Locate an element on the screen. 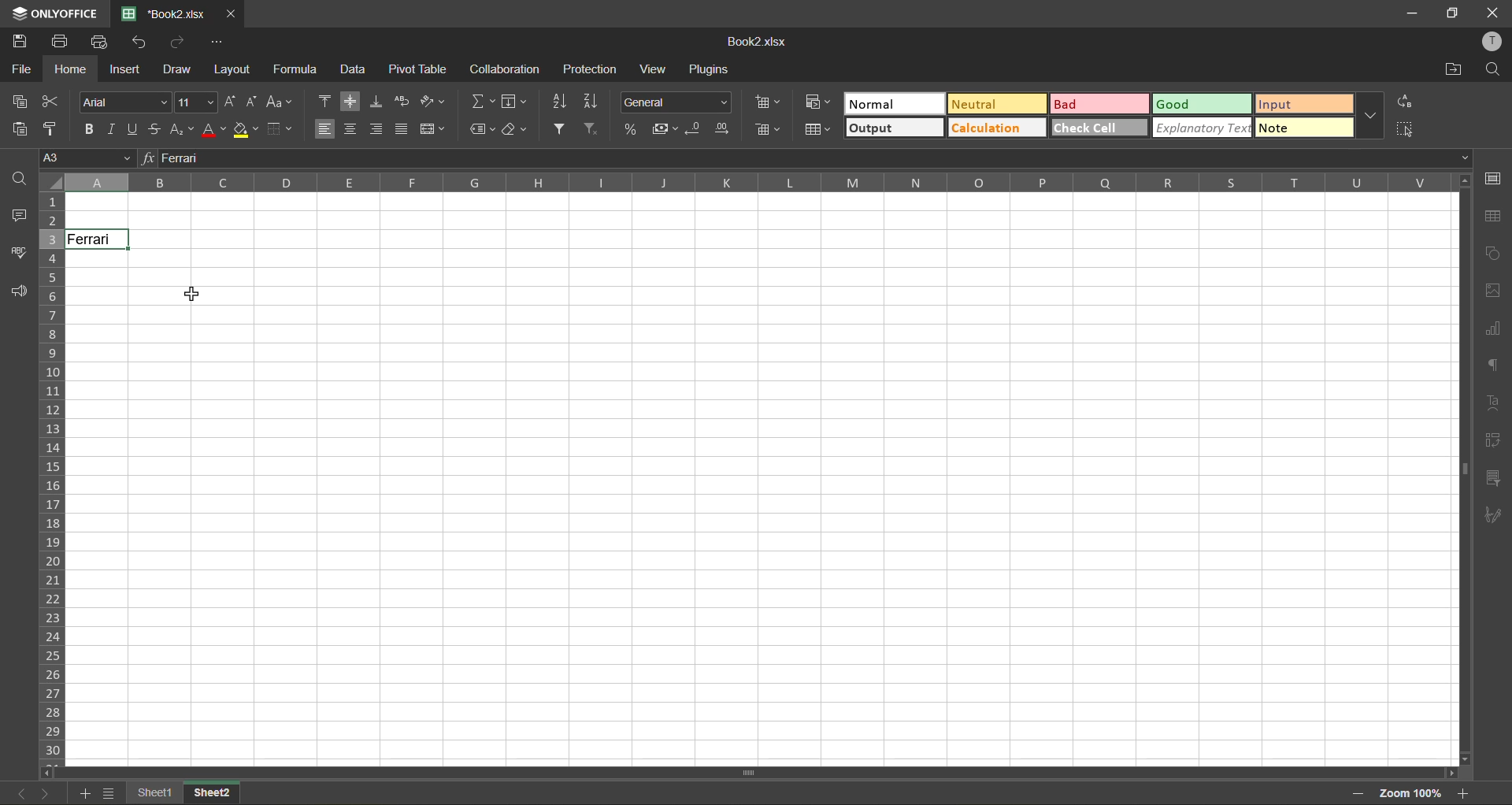 This screenshot has height=805, width=1512. plugins is located at coordinates (709, 69).